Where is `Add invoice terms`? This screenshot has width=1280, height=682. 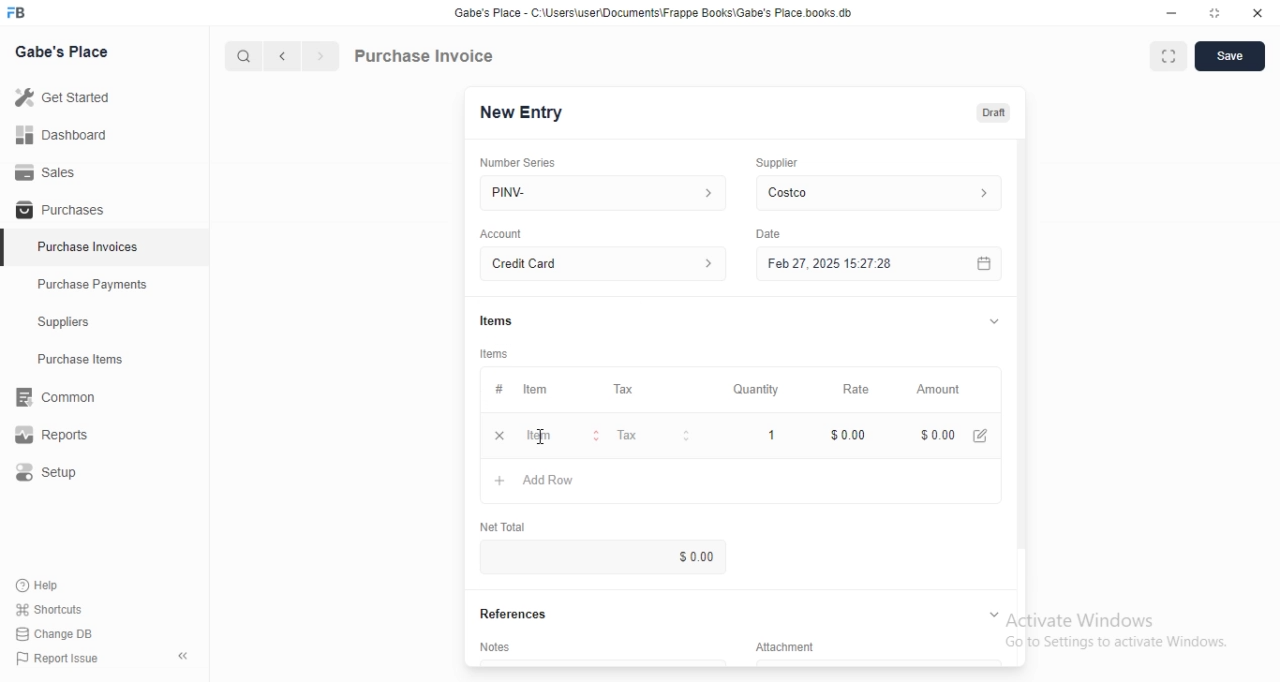
Add invoice terms is located at coordinates (603, 662).